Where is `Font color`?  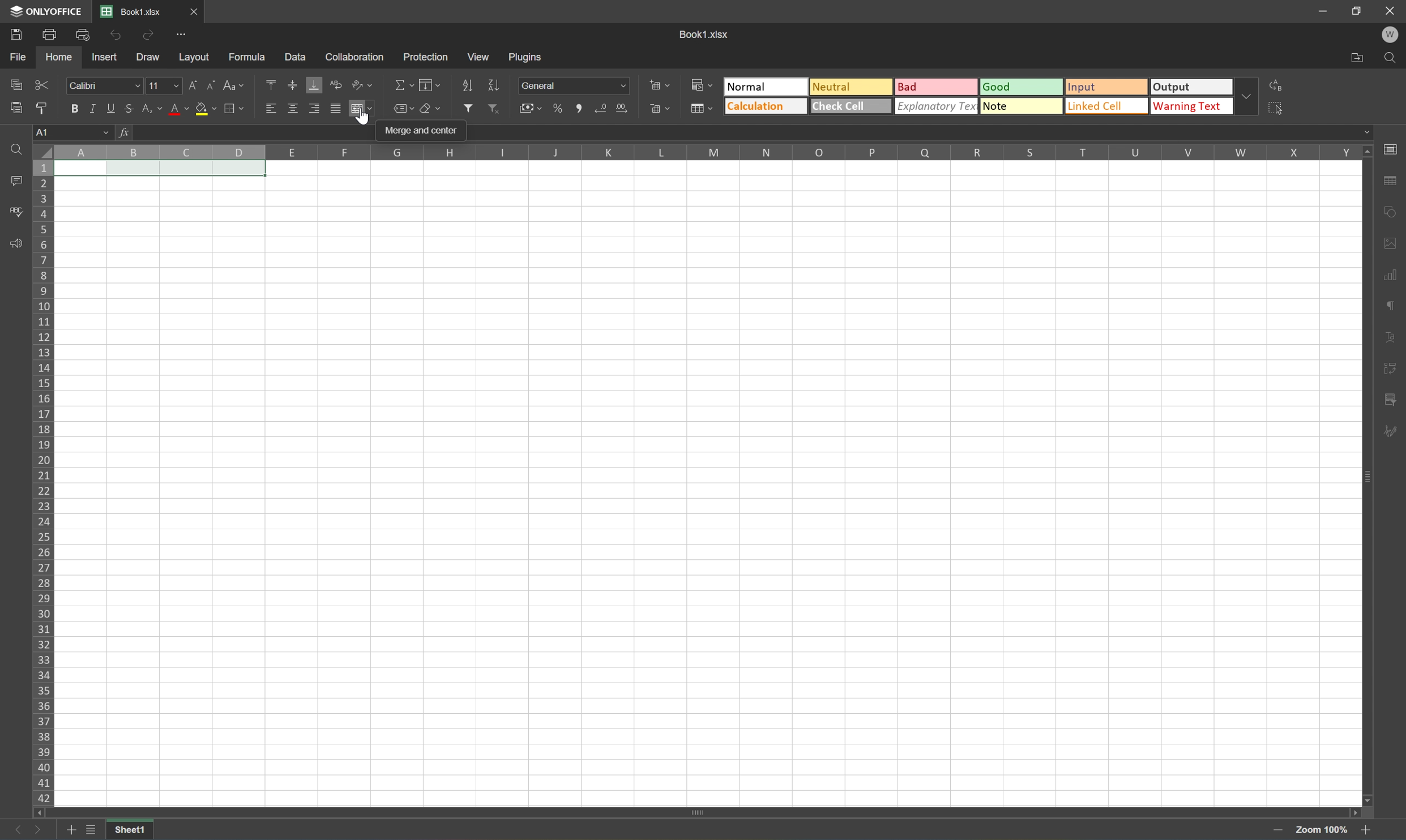
Font color is located at coordinates (178, 109).